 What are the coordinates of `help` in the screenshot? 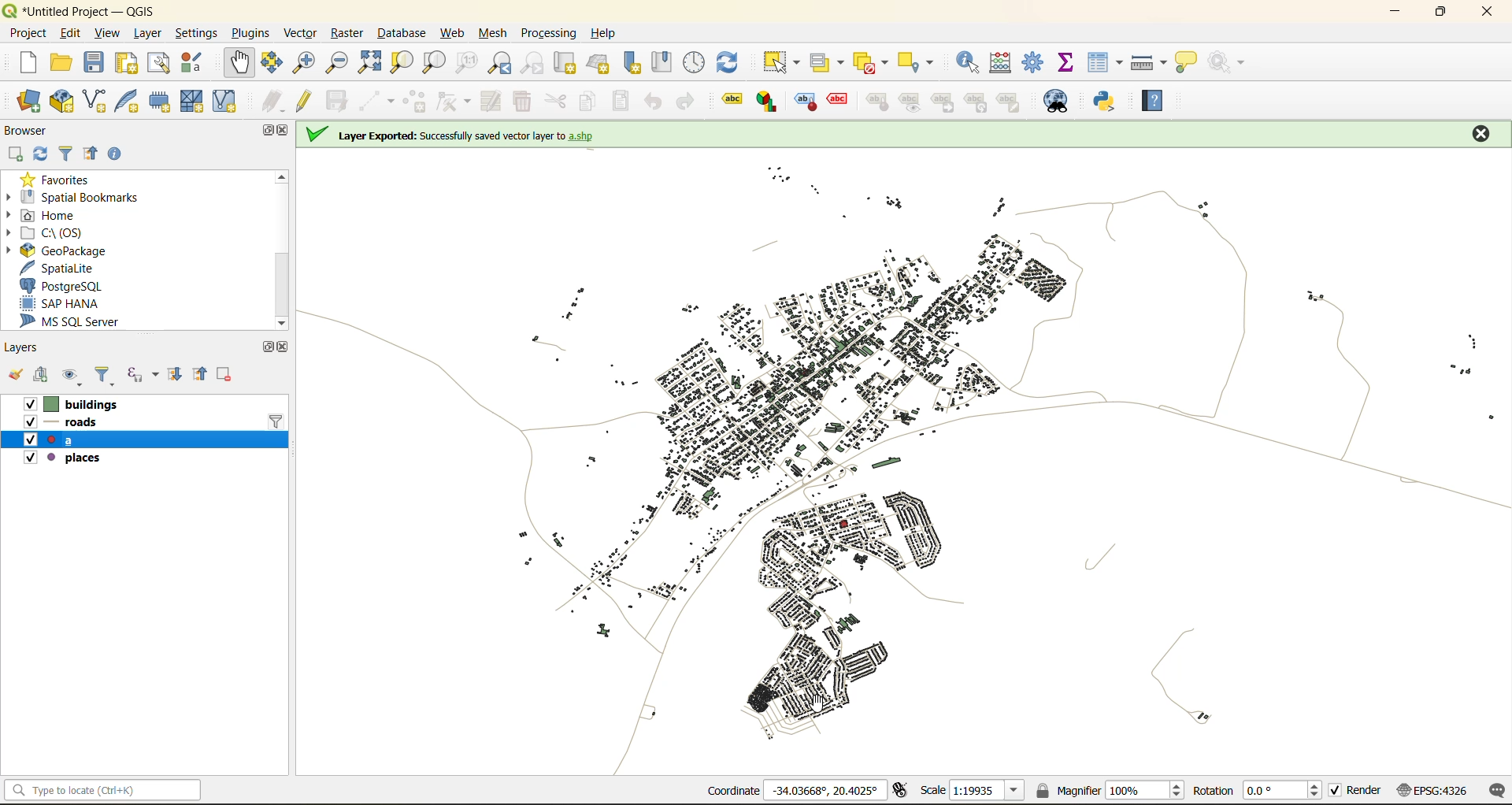 It's located at (608, 33).